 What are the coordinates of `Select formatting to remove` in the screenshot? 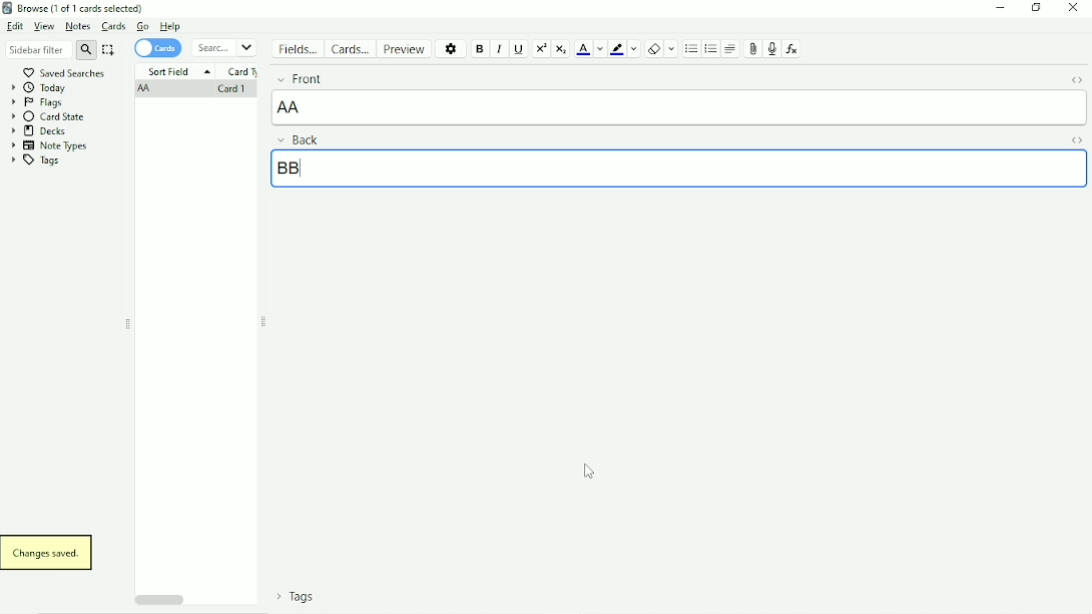 It's located at (672, 48).